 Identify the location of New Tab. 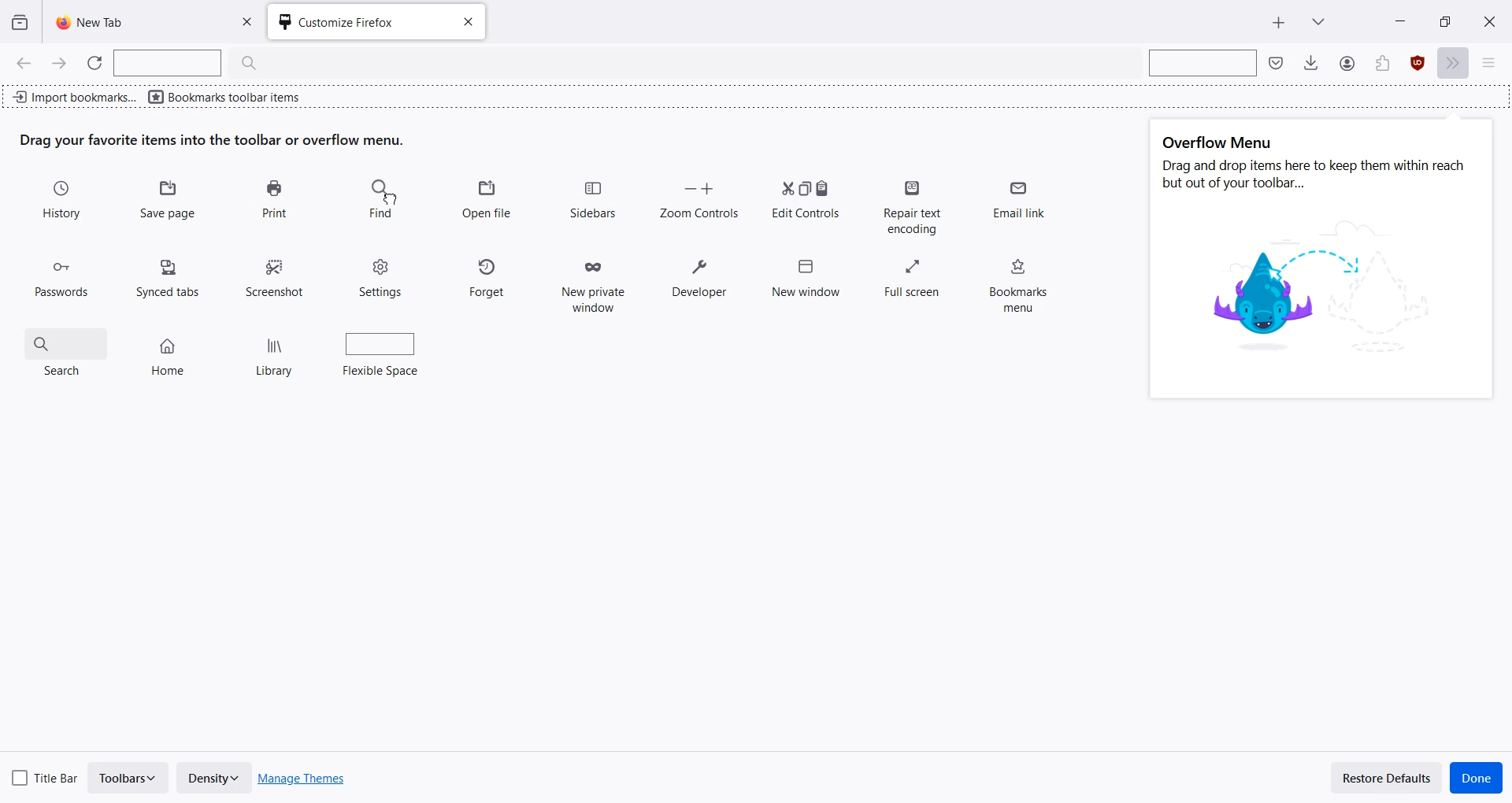
(1279, 23).